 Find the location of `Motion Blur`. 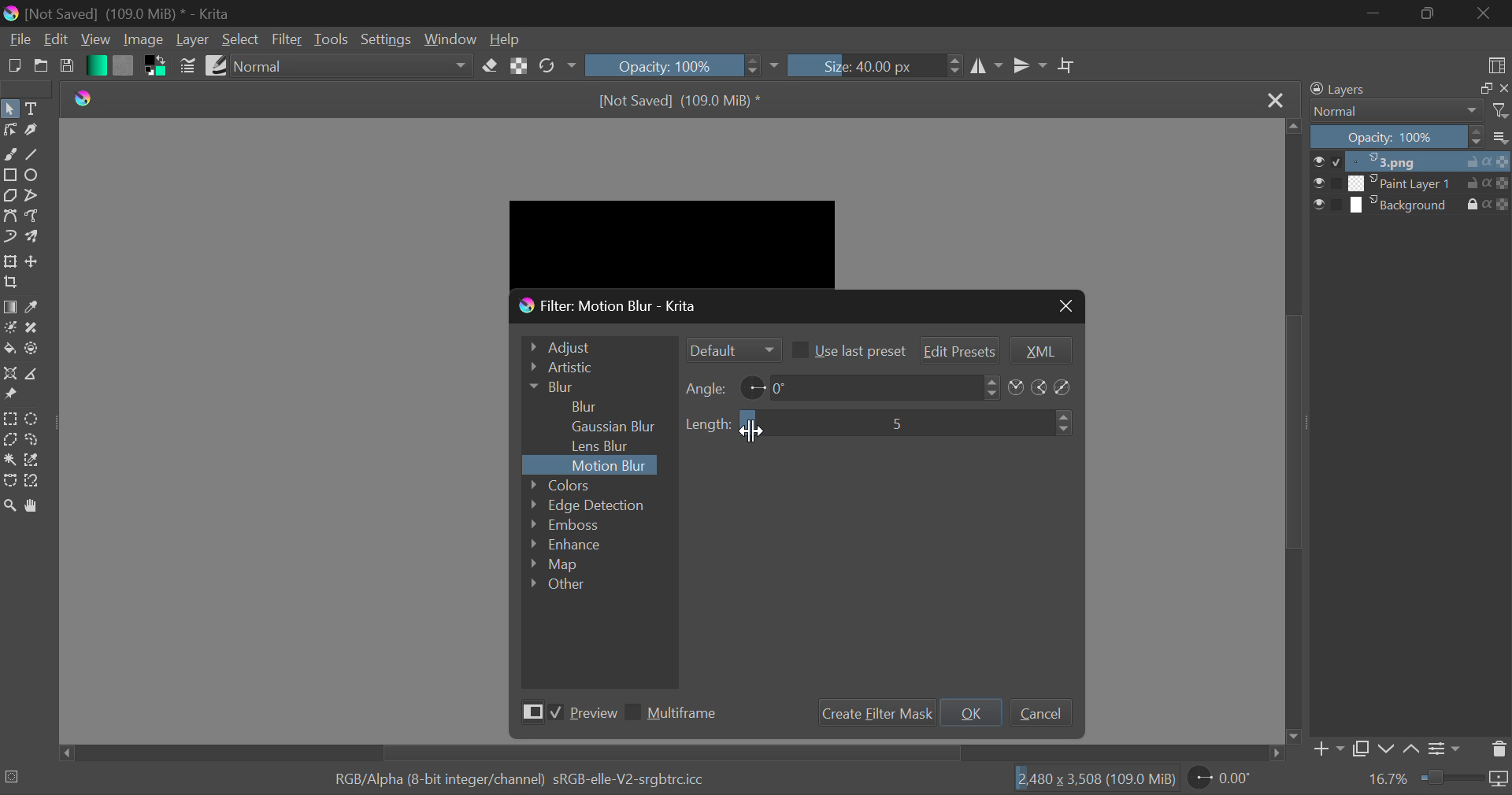

Motion Blur is located at coordinates (611, 466).